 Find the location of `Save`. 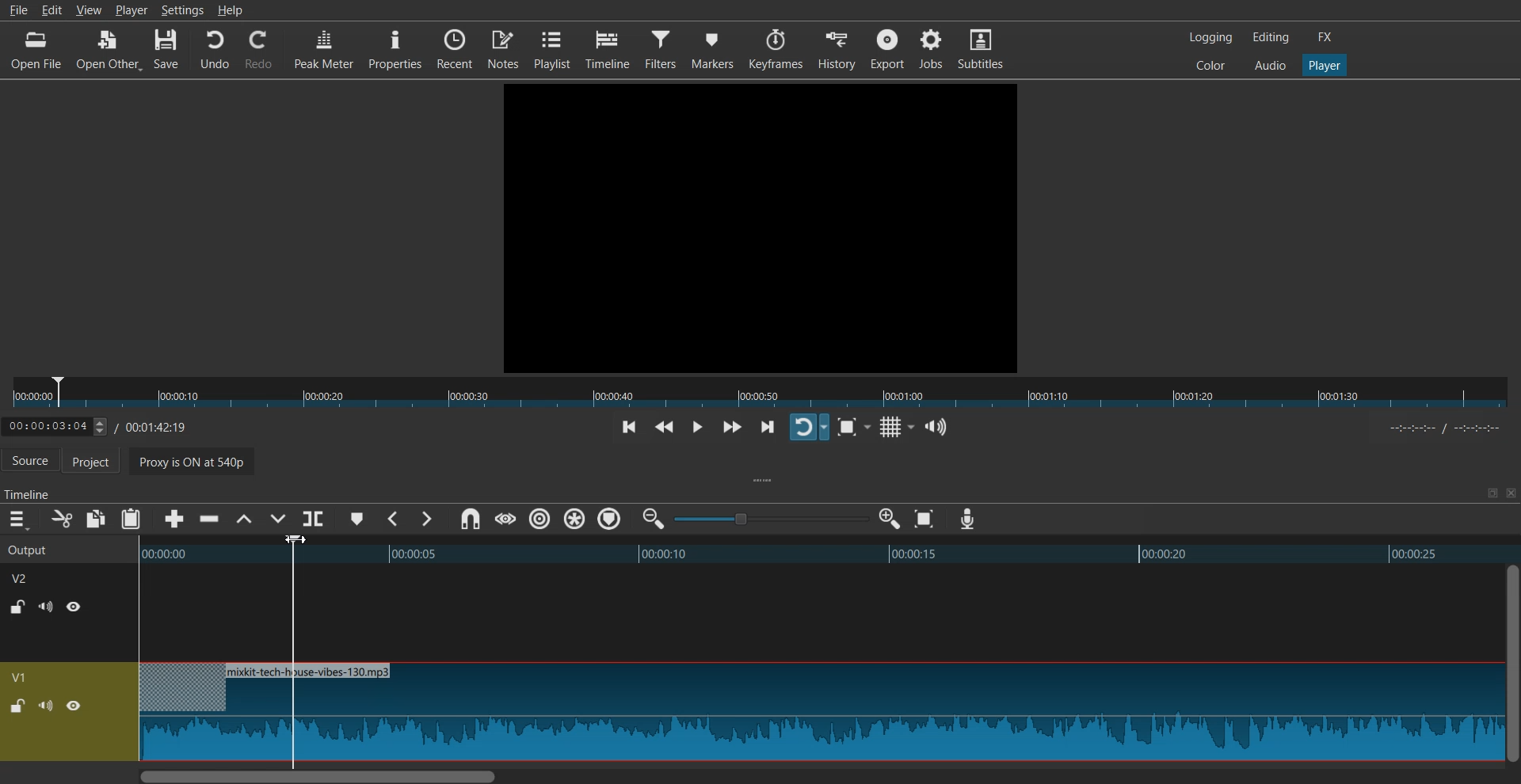

Save is located at coordinates (167, 50).